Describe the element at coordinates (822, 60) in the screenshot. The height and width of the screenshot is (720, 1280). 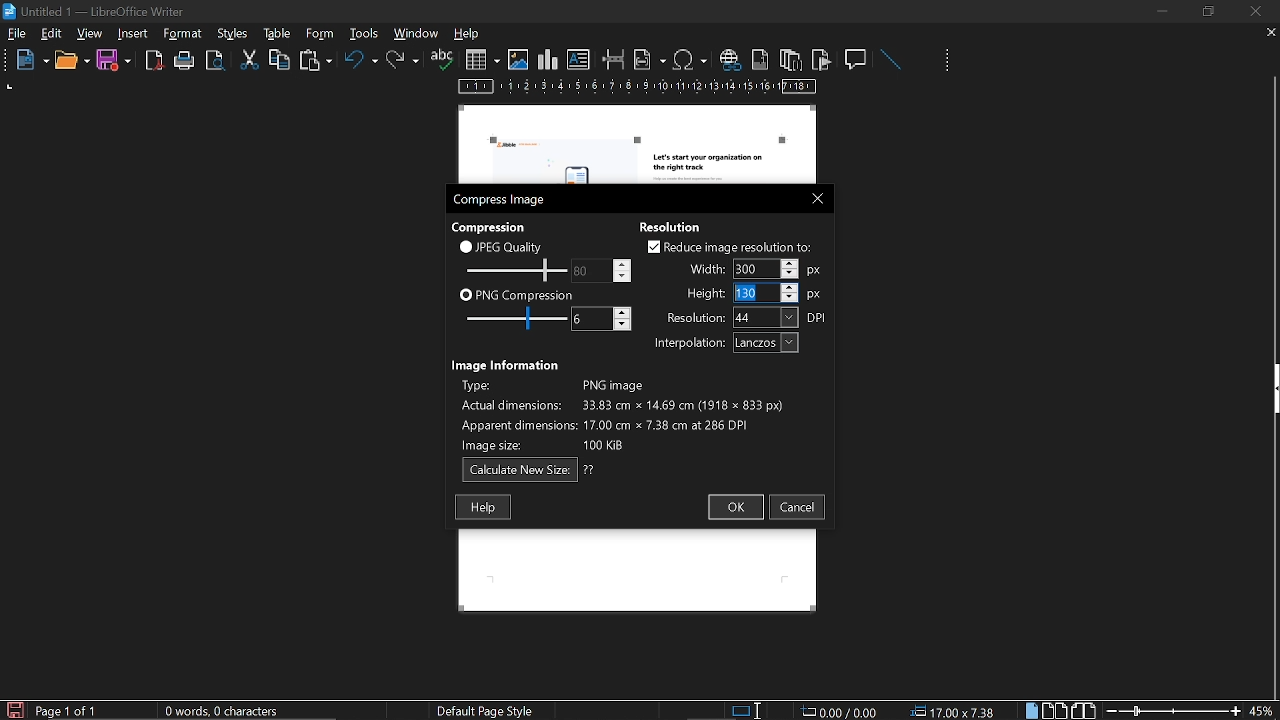
I see `insert bookmark` at that location.